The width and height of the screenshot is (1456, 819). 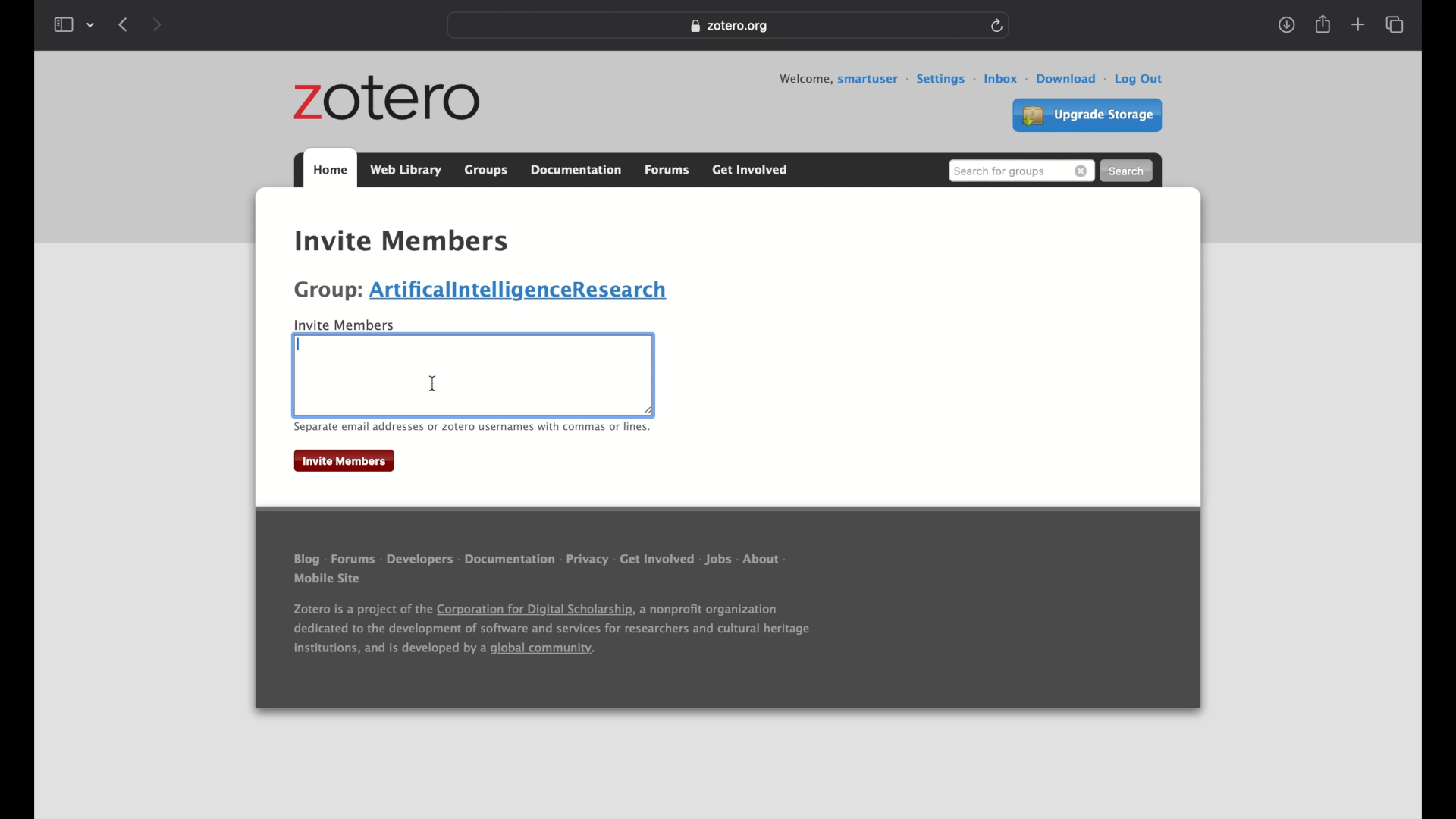 I want to click on artificialintelligenceresearch, so click(x=524, y=291).